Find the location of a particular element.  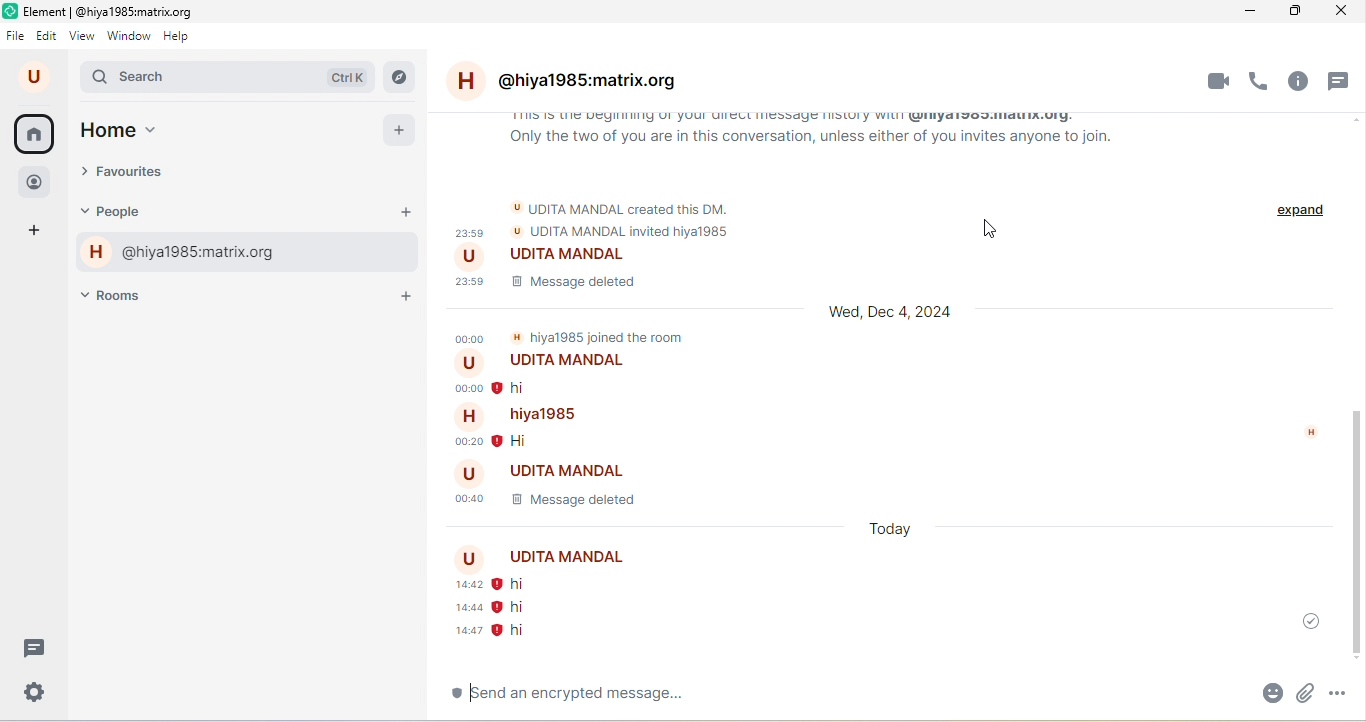

close is located at coordinates (1341, 13).